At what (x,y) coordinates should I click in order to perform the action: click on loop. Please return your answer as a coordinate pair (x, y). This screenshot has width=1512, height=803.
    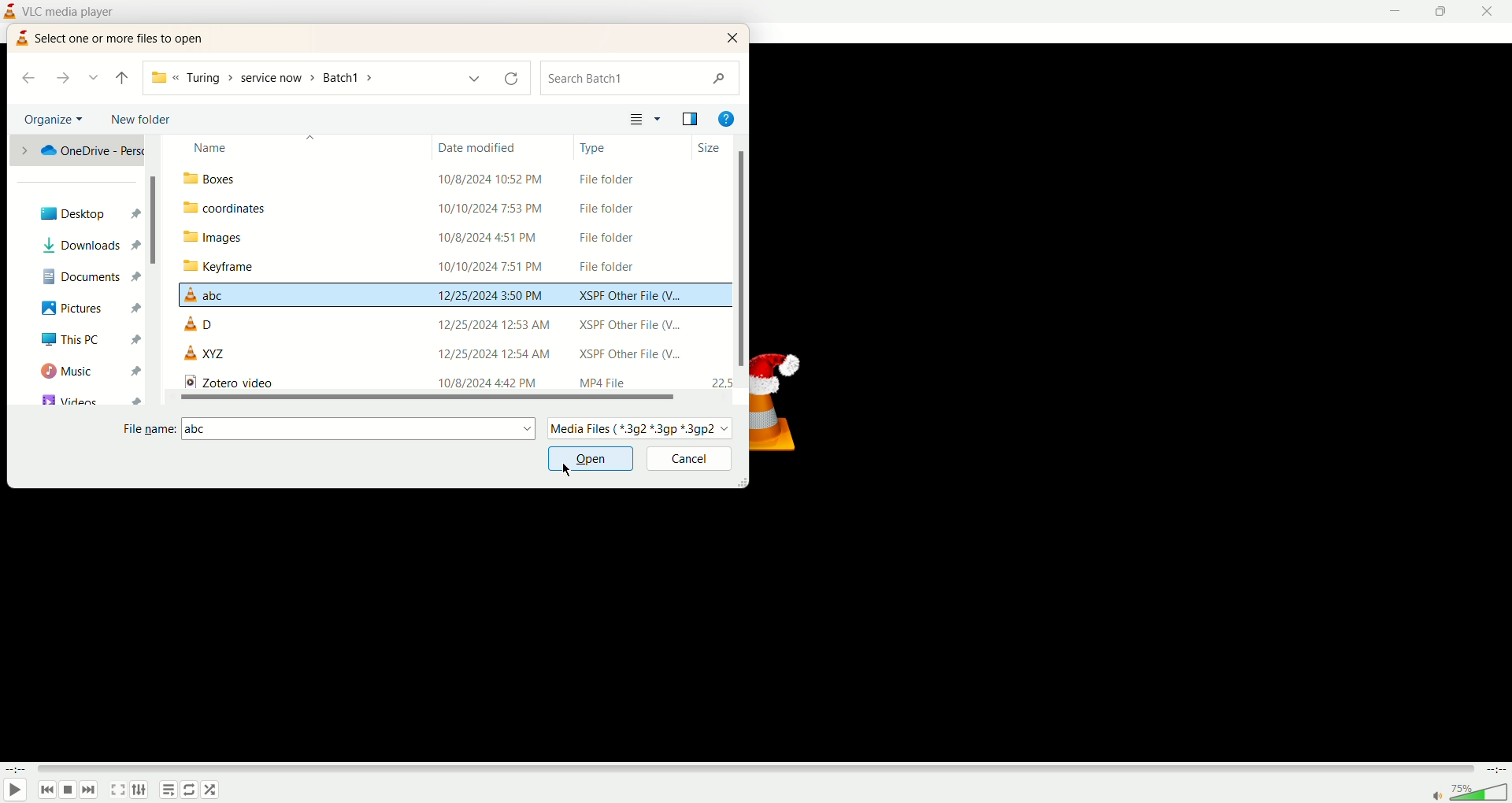
    Looking at the image, I should click on (210, 790).